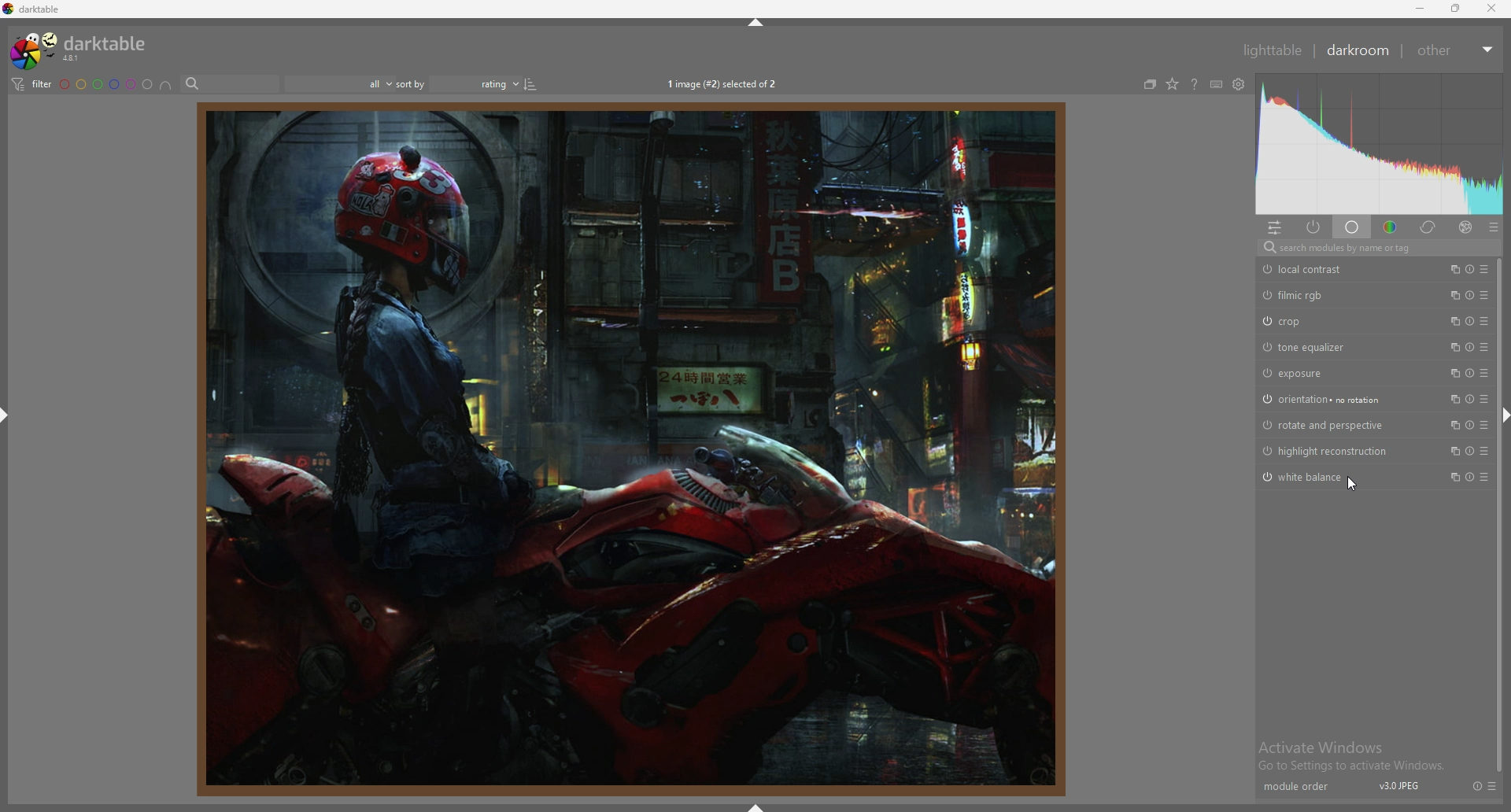 This screenshot has height=812, width=1511. What do you see at coordinates (756, 22) in the screenshot?
I see `hide` at bounding box center [756, 22].